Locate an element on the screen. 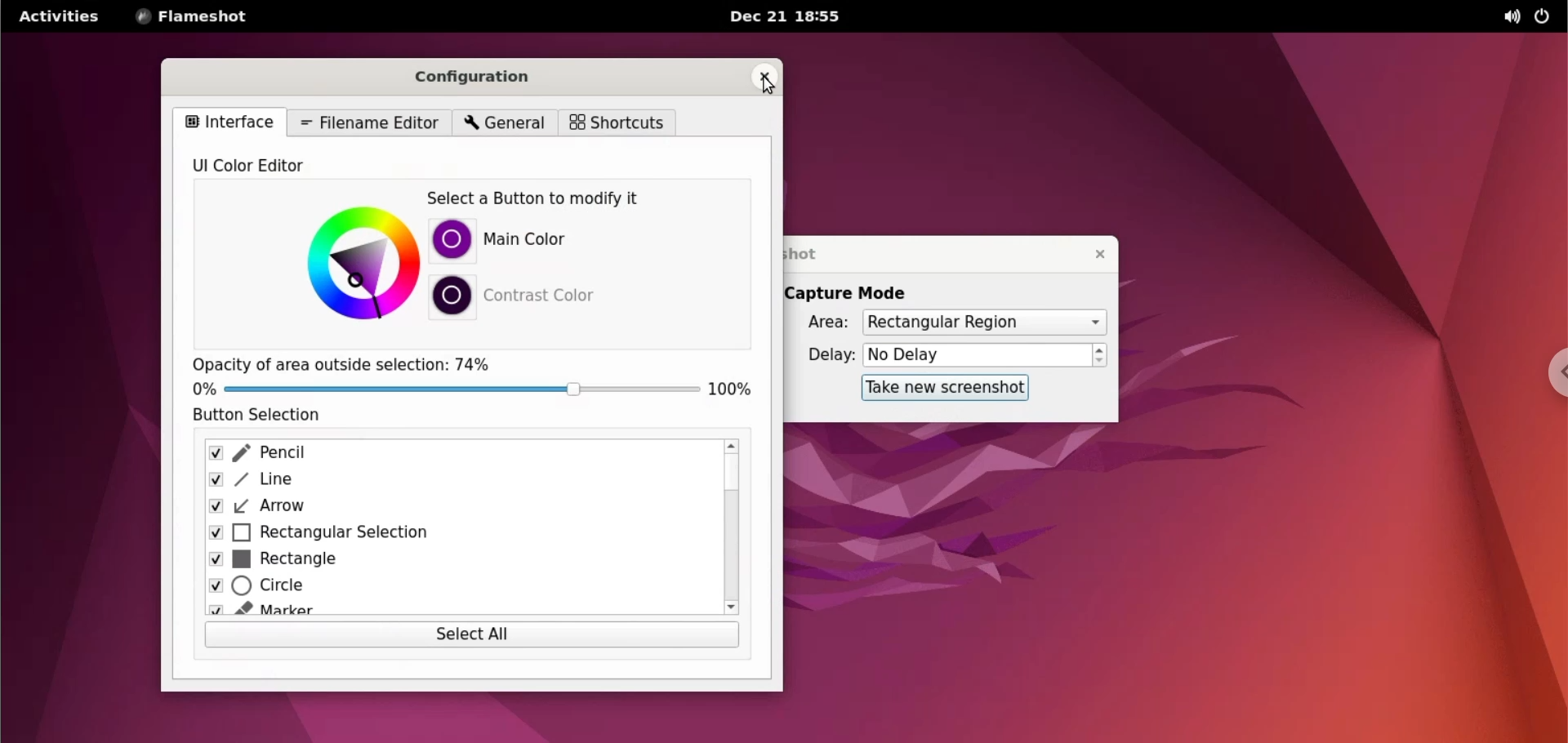 The height and width of the screenshot is (743, 1568). 0% is located at coordinates (198, 389).